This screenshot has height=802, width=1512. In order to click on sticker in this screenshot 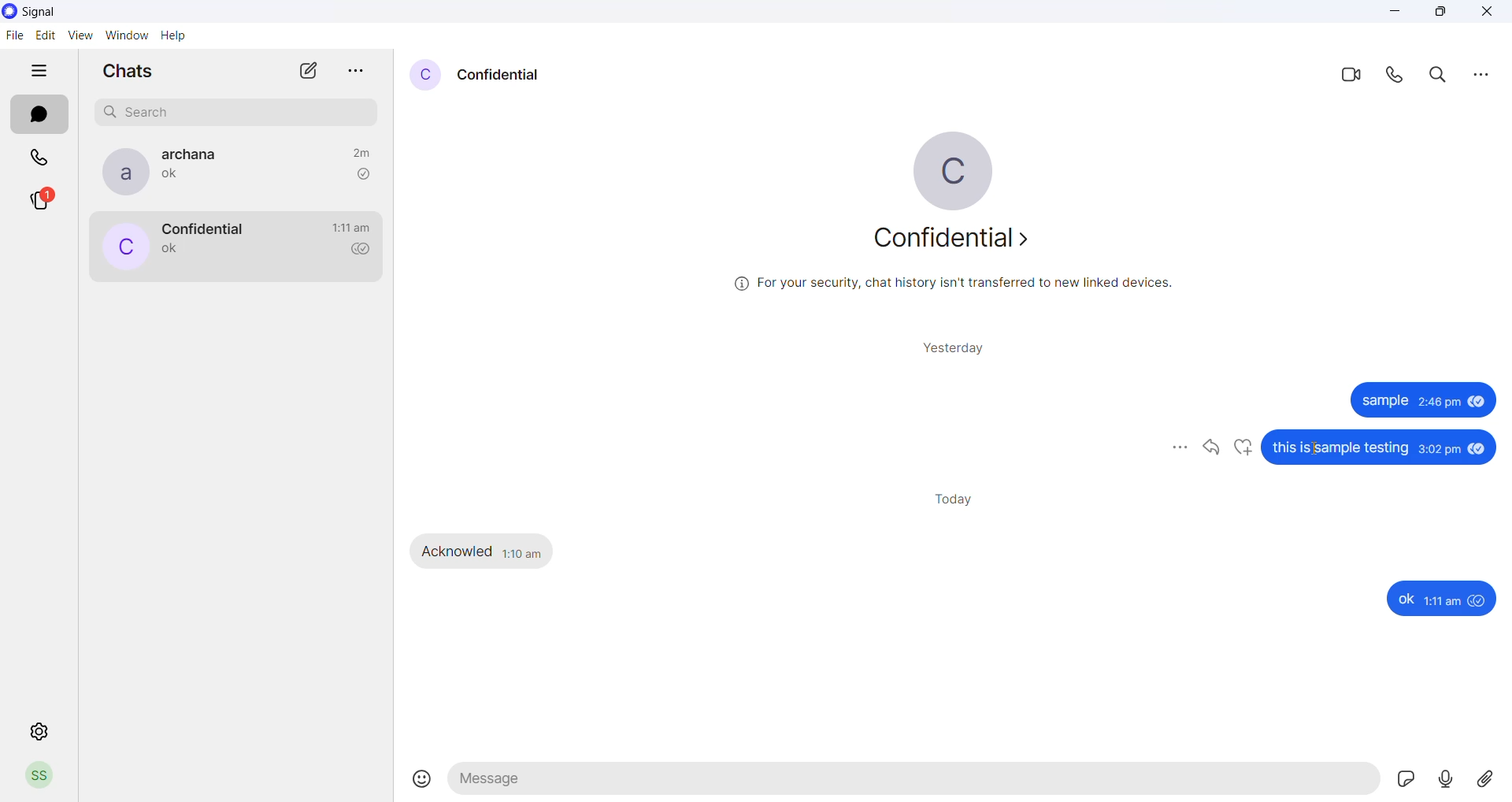, I will do `click(1410, 782)`.